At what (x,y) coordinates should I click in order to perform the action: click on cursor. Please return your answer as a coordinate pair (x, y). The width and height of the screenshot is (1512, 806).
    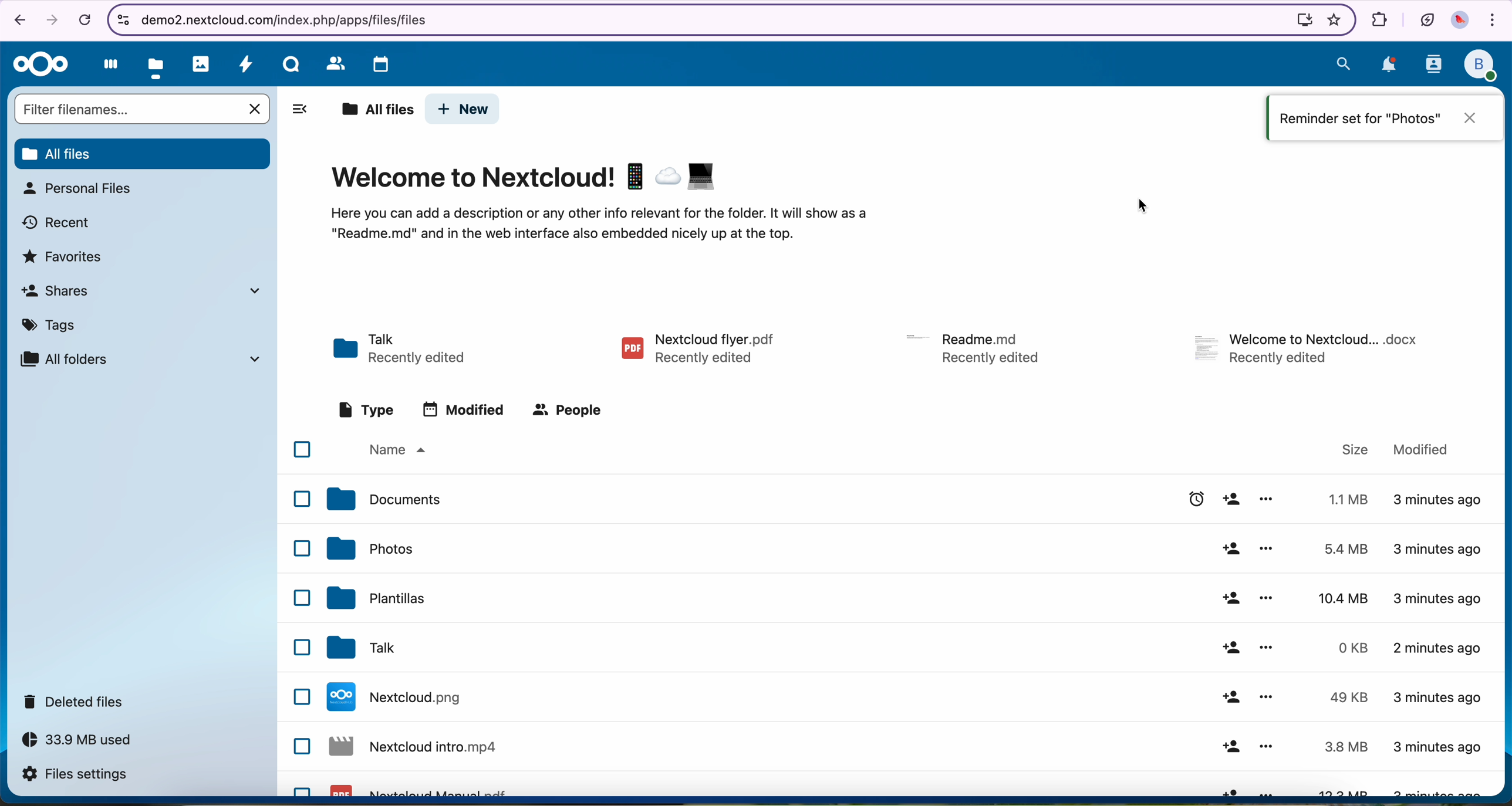
    Looking at the image, I should click on (1269, 558).